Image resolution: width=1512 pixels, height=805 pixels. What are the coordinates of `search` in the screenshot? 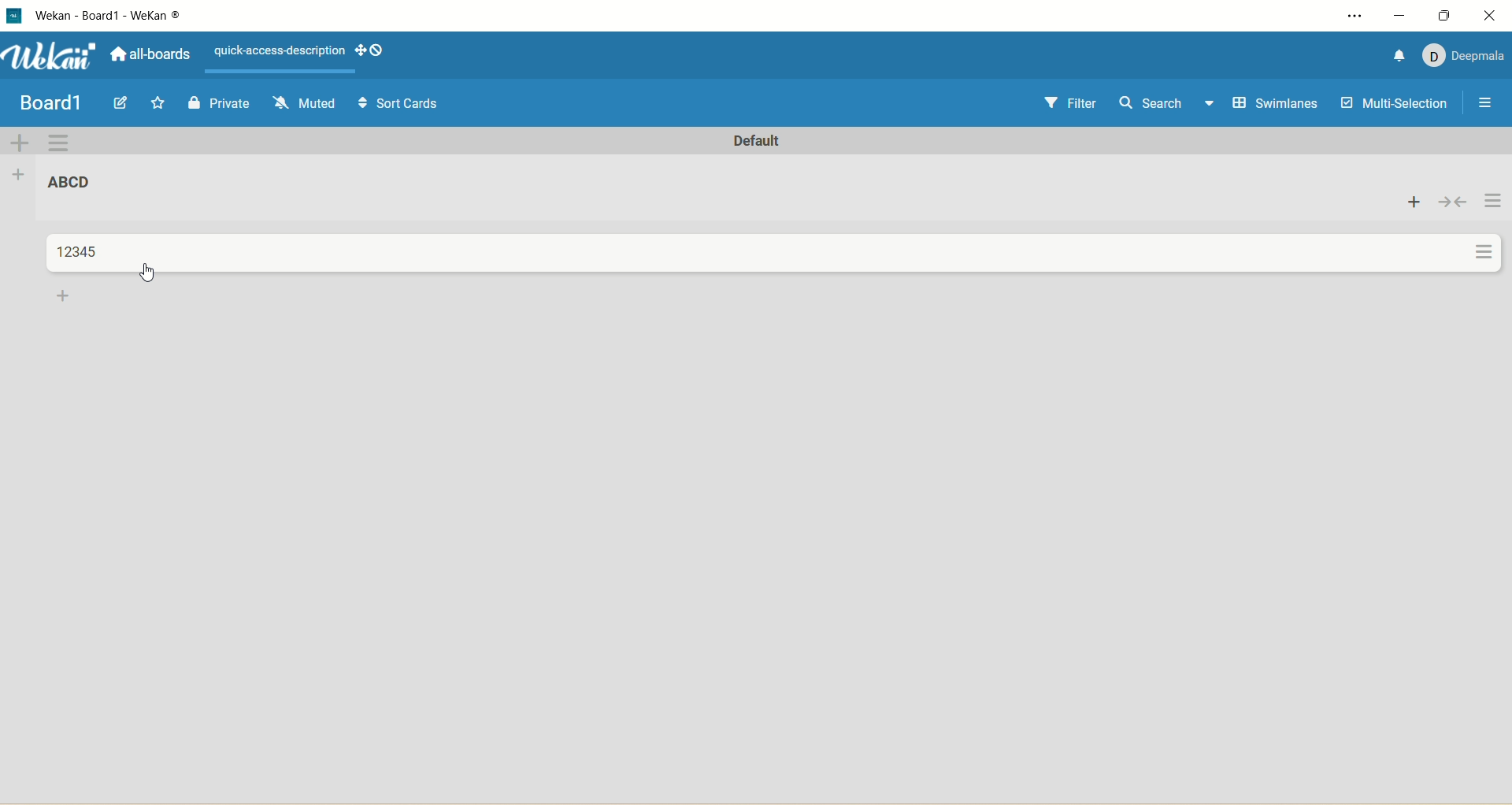 It's located at (1166, 105).